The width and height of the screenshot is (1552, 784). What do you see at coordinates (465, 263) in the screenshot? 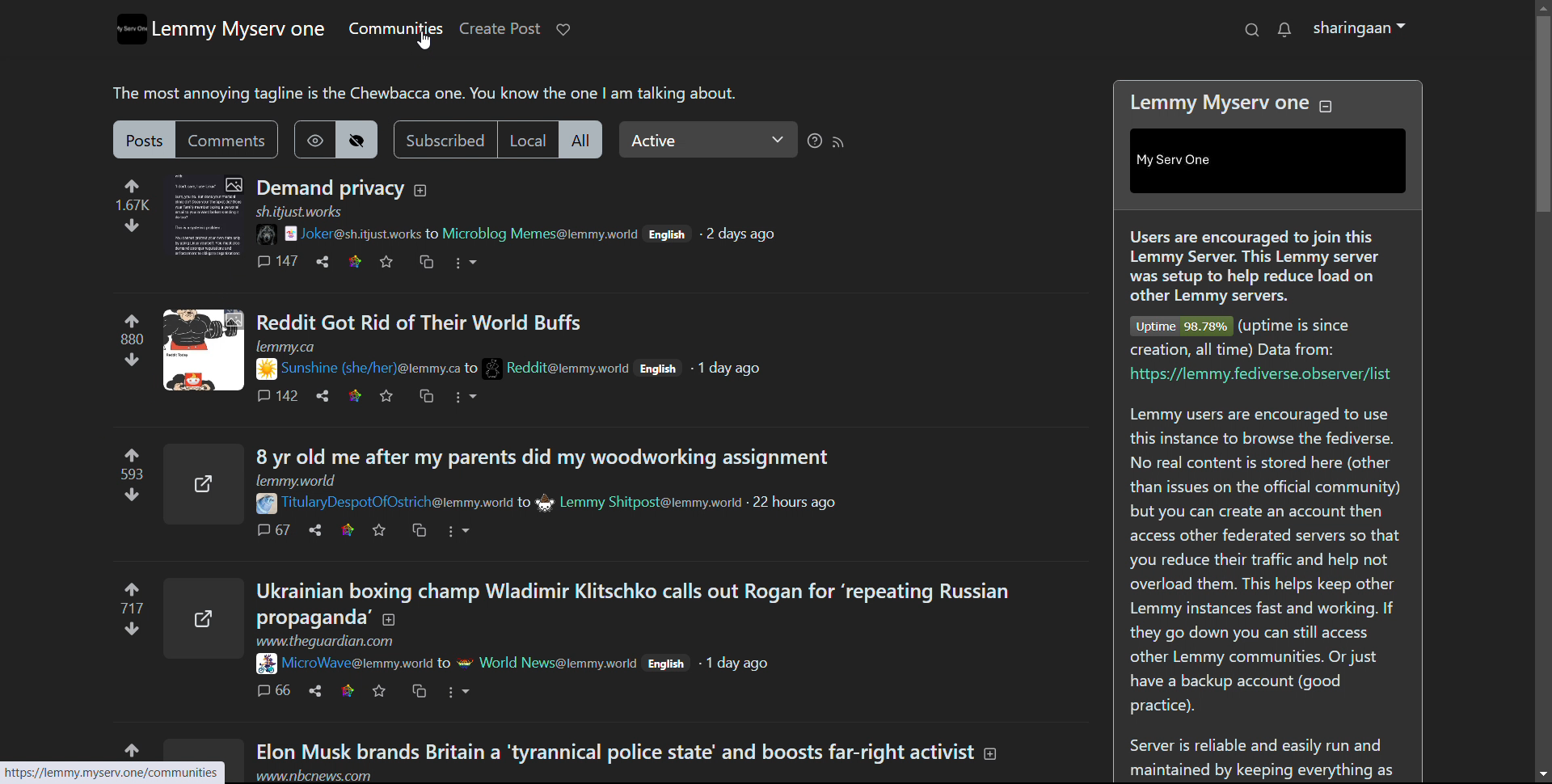
I see `more` at bounding box center [465, 263].